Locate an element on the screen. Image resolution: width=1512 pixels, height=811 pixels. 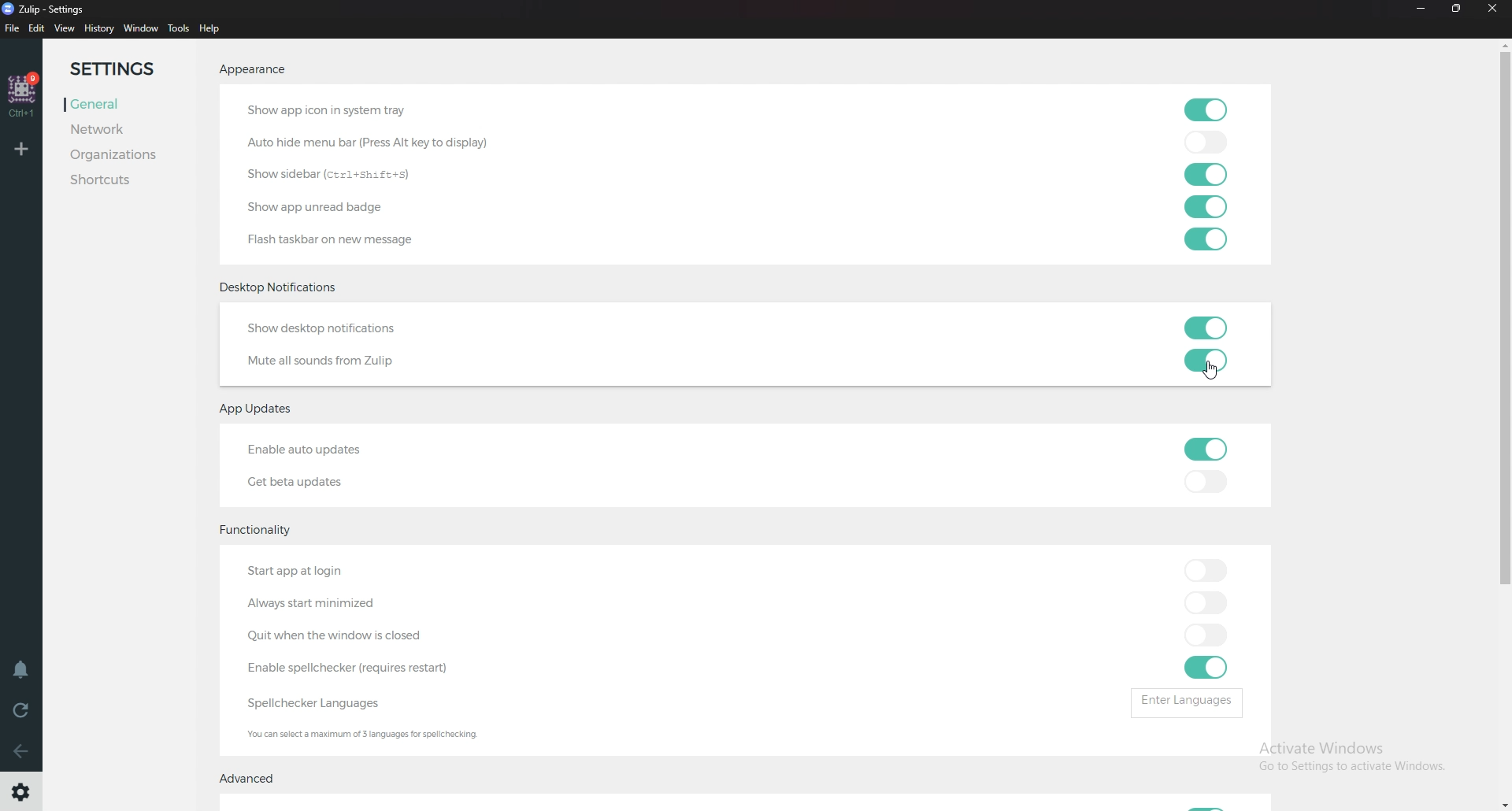
Reload is located at coordinates (22, 711).